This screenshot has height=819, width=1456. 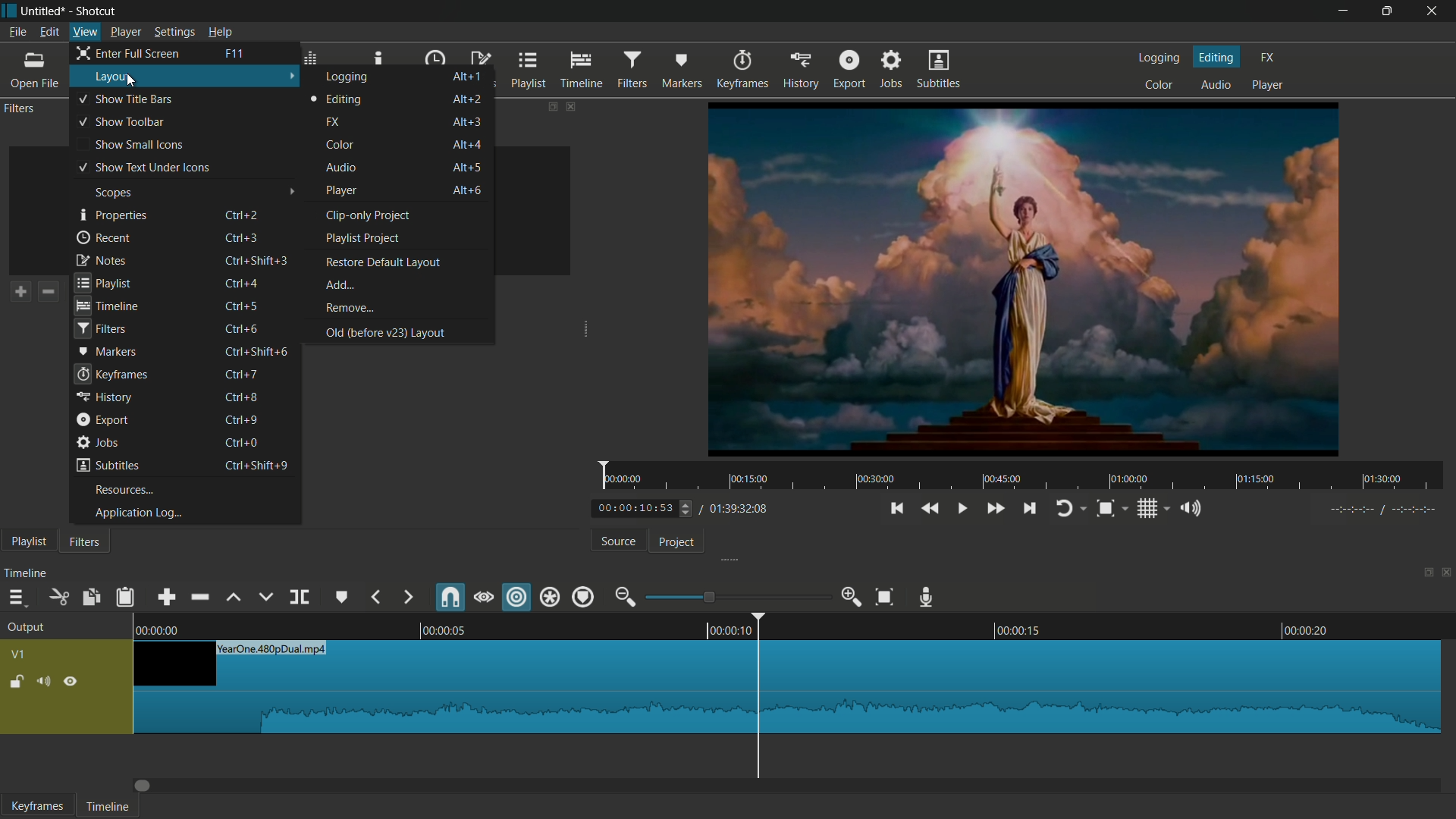 I want to click on markers, so click(x=106, y=350).